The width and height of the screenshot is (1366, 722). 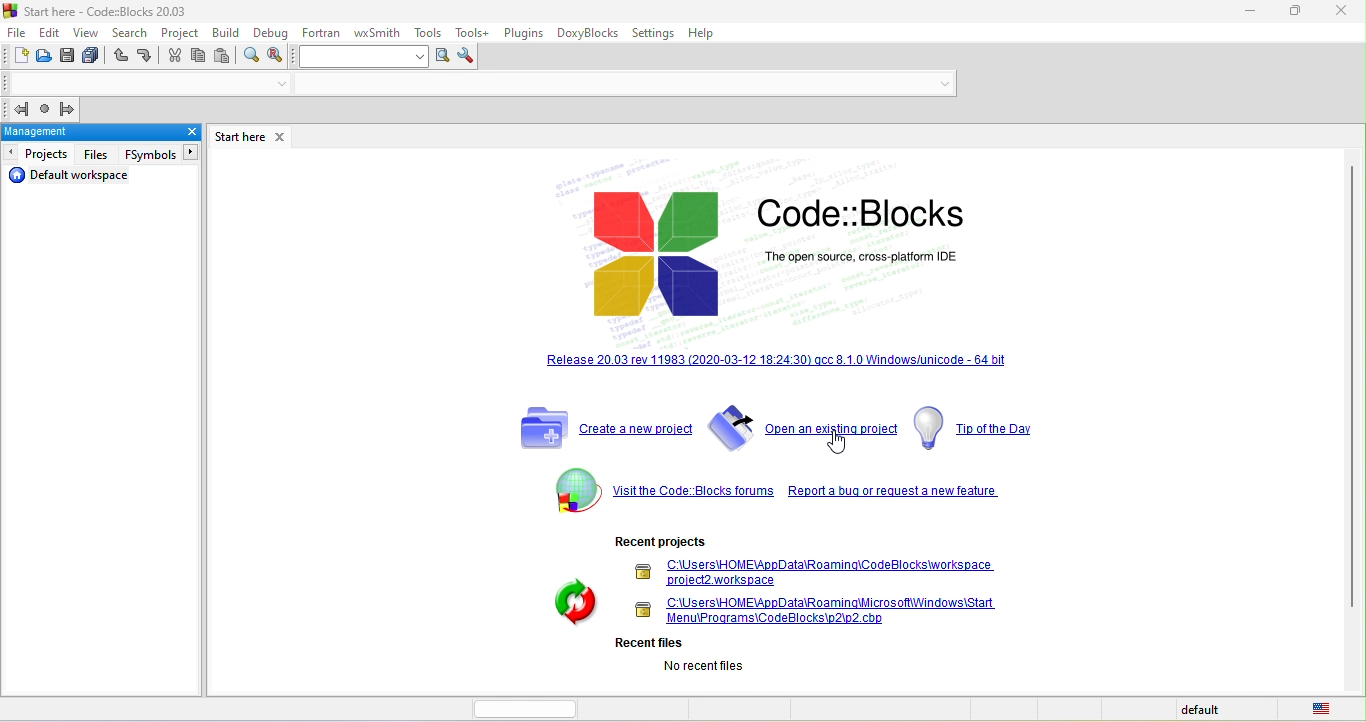 What do you see at coordinates (199, 58) in the screenshot?
I see `copy` at bounding box center [199, 58].